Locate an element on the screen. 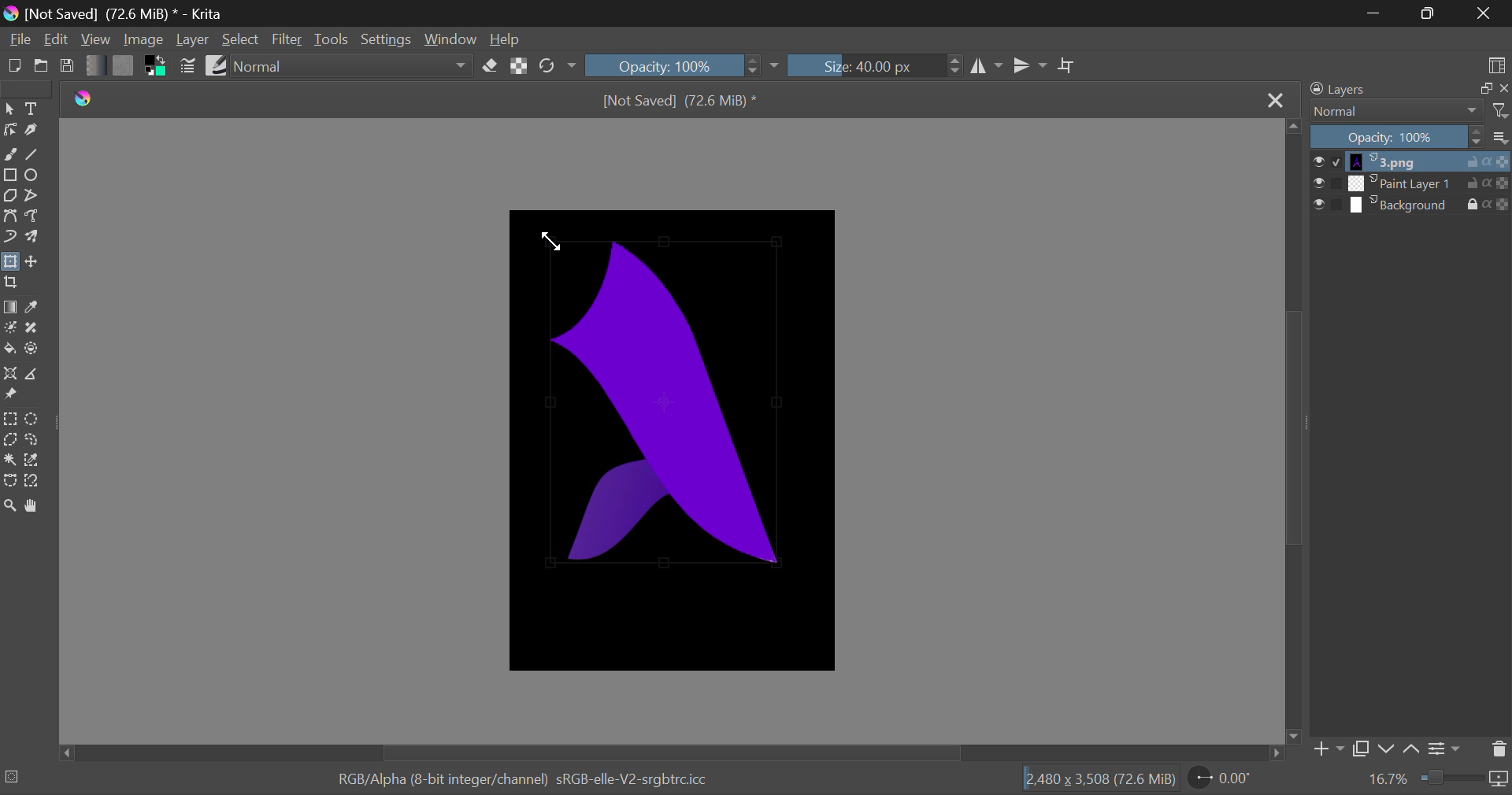  Measurements is located at coordinates (37, 374).